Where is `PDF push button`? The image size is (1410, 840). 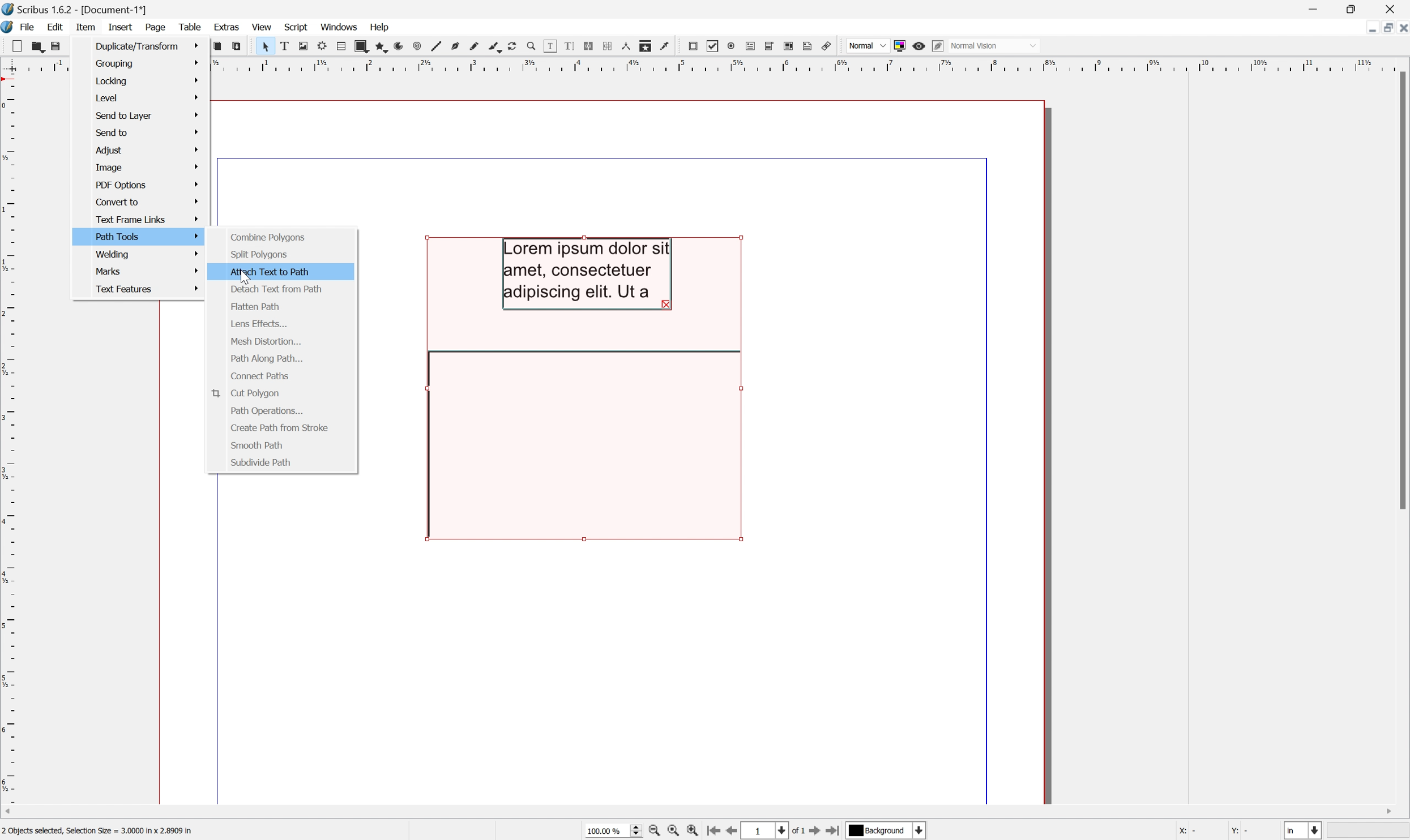
PDF push button is located at coordinates (694, 46).